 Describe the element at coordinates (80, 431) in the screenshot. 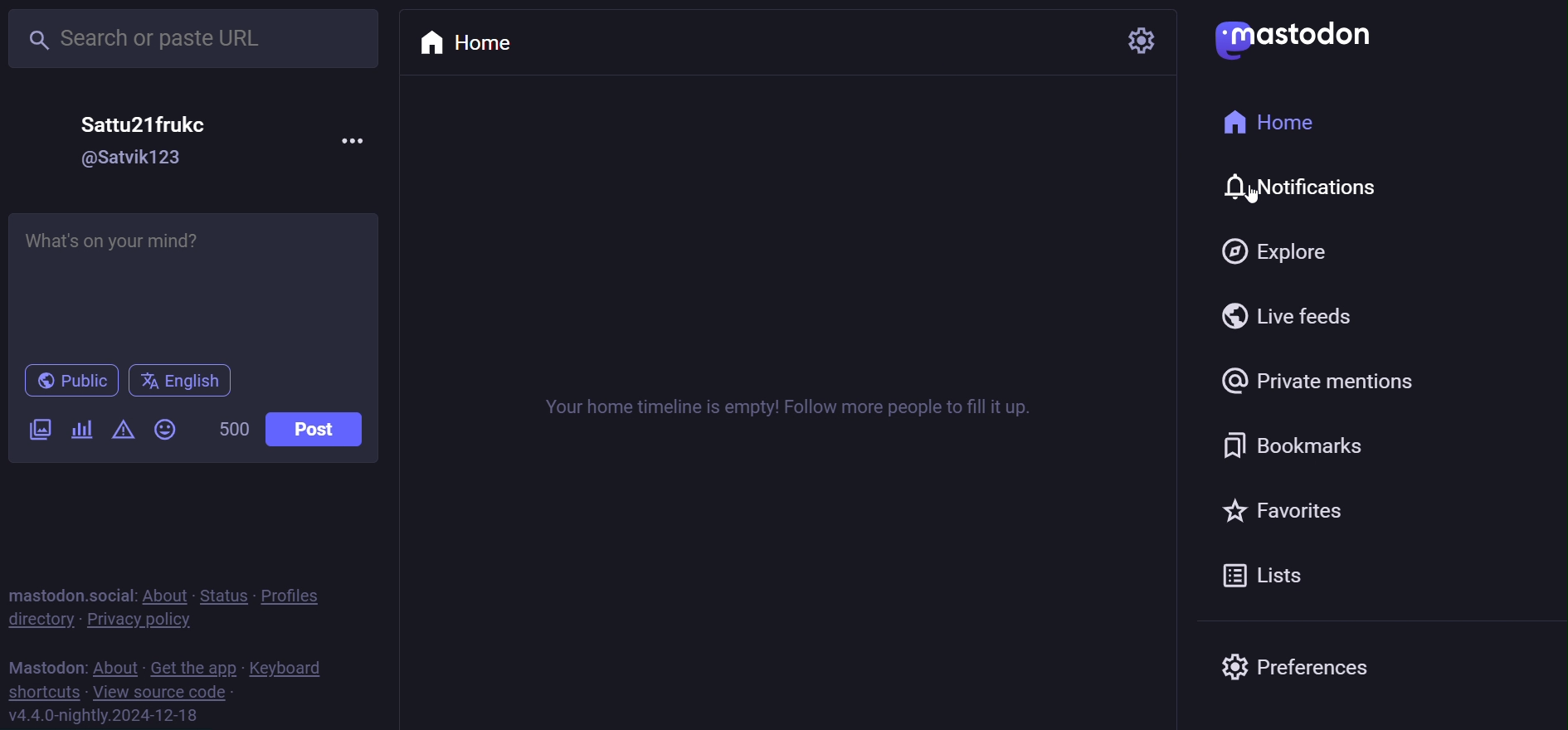

I see `poll` at that location.